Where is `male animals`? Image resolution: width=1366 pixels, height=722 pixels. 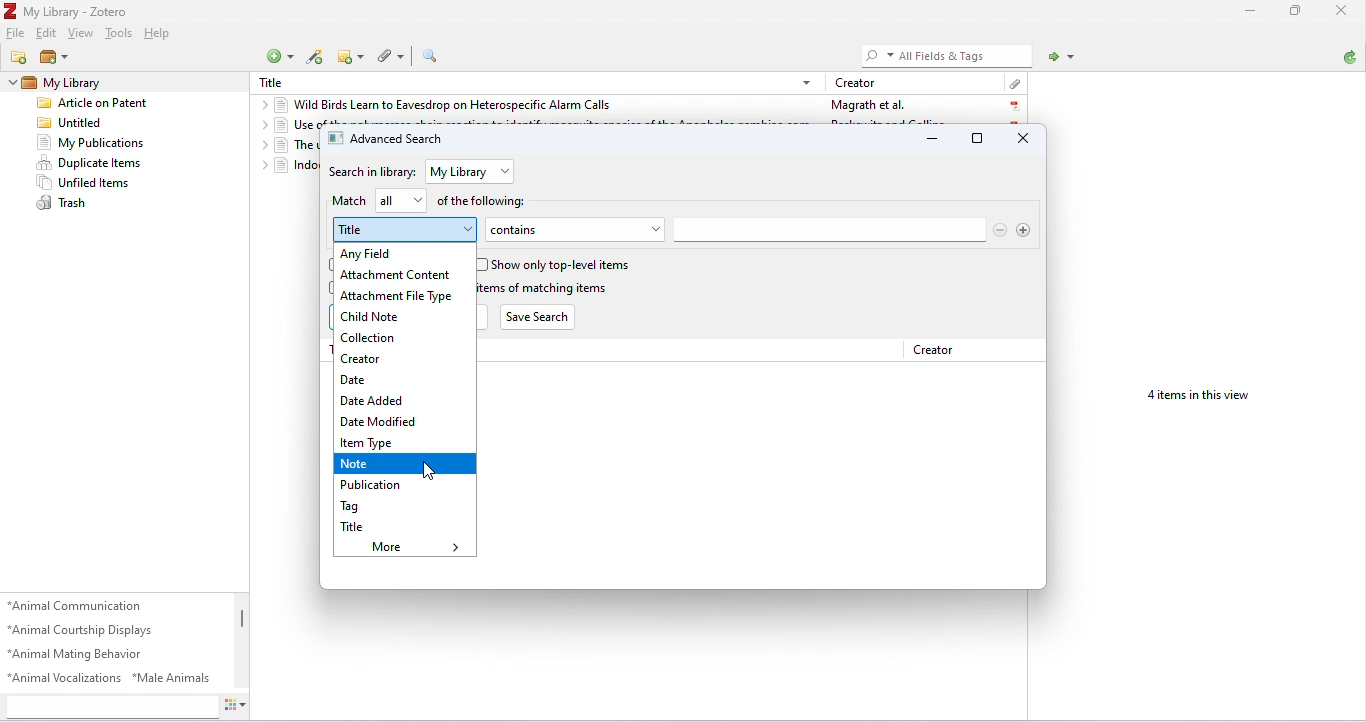 male animals is located at coordinates (171, 677).